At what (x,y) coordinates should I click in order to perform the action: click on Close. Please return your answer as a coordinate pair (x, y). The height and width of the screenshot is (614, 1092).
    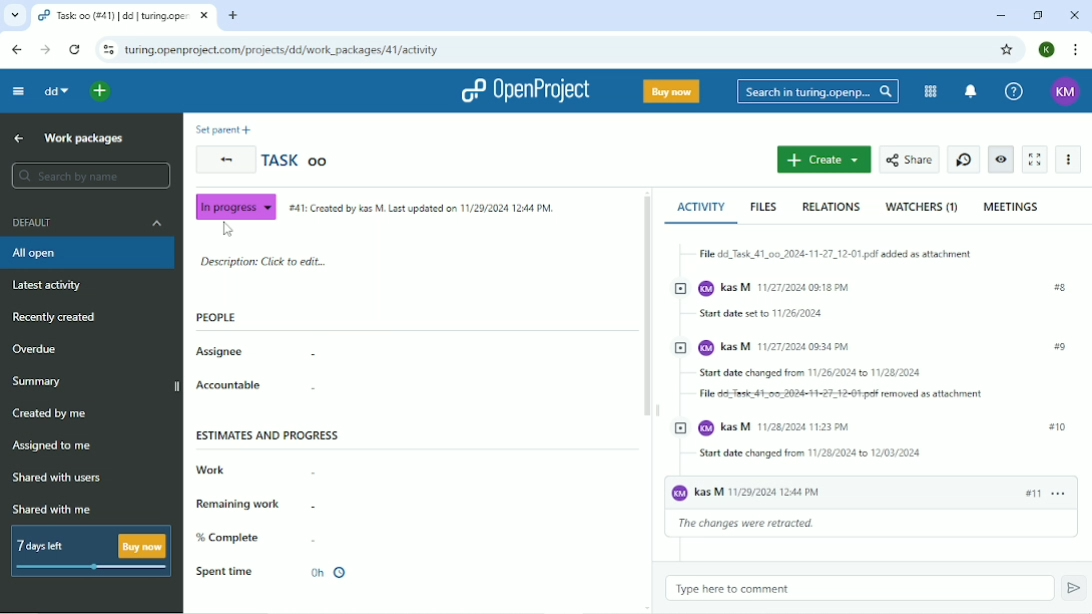
    Looking at the image, I should click on (1074, 15).